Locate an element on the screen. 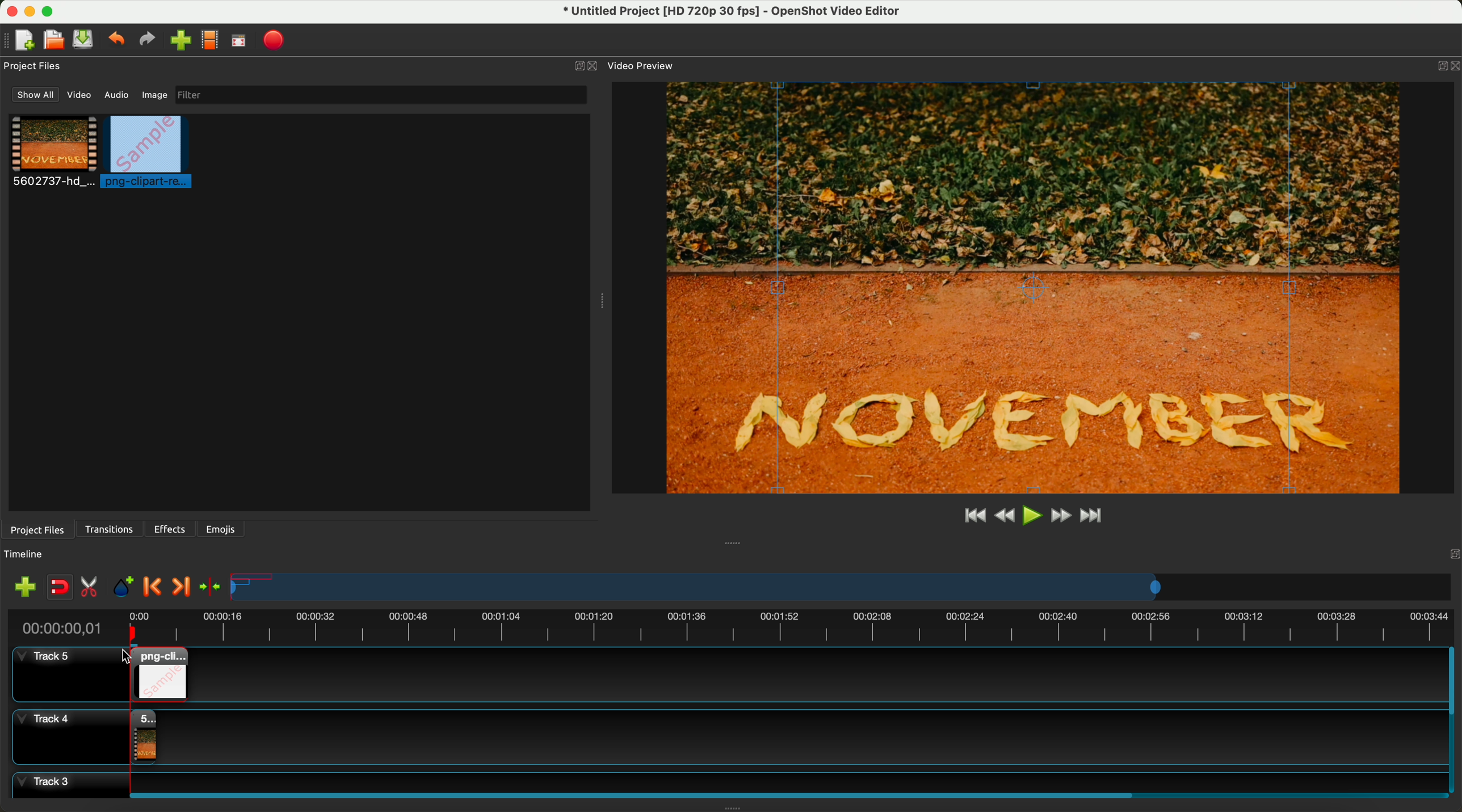 The width and height of the screenshot is (1462, 812). add mark is located at coordinates (126, 589).